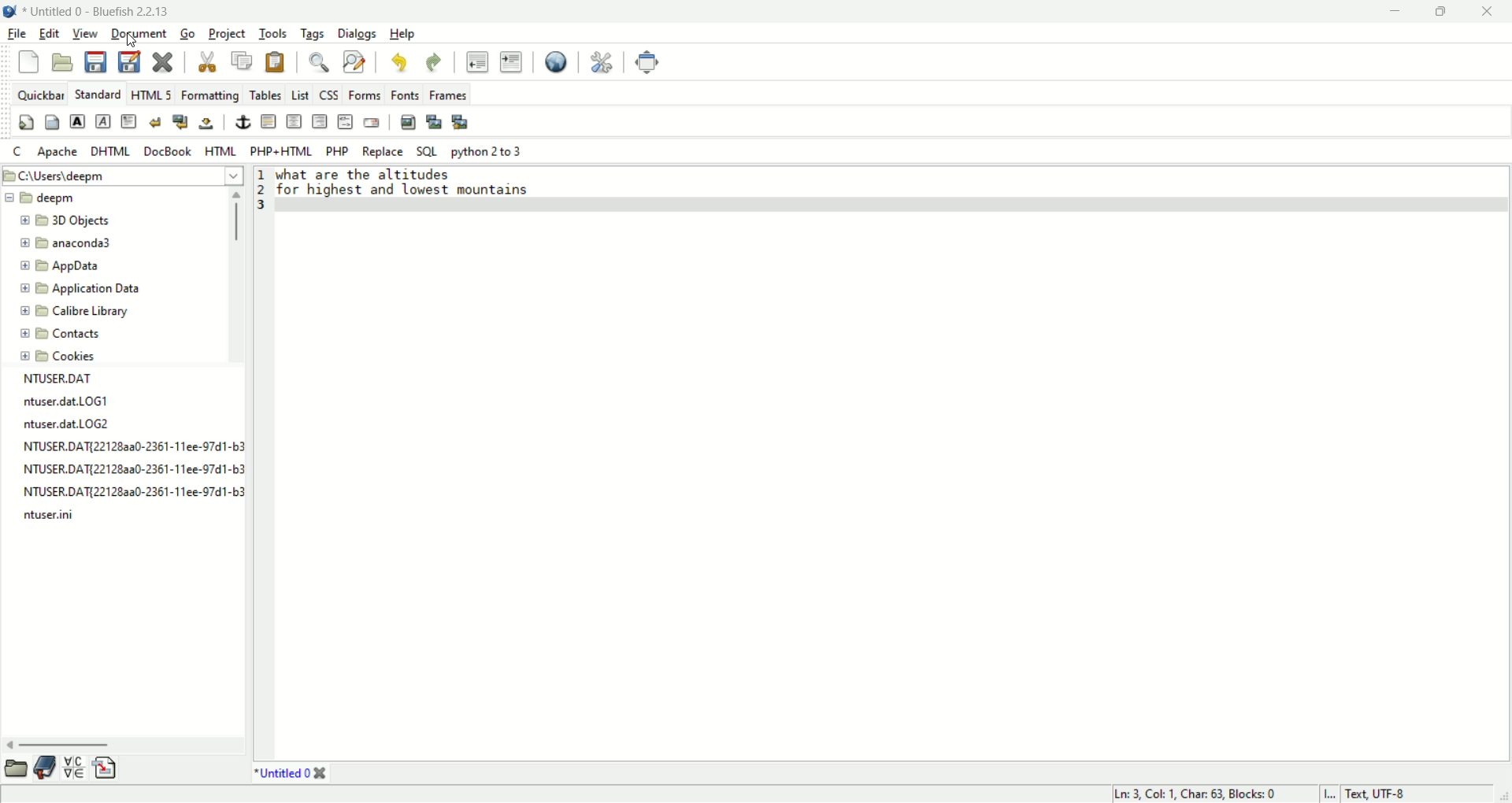 Image resolution: width=1512 pixels, height=803 pixels. Describe the element at coordinates (157, 124) in the screenshot. I see `break` at that location.